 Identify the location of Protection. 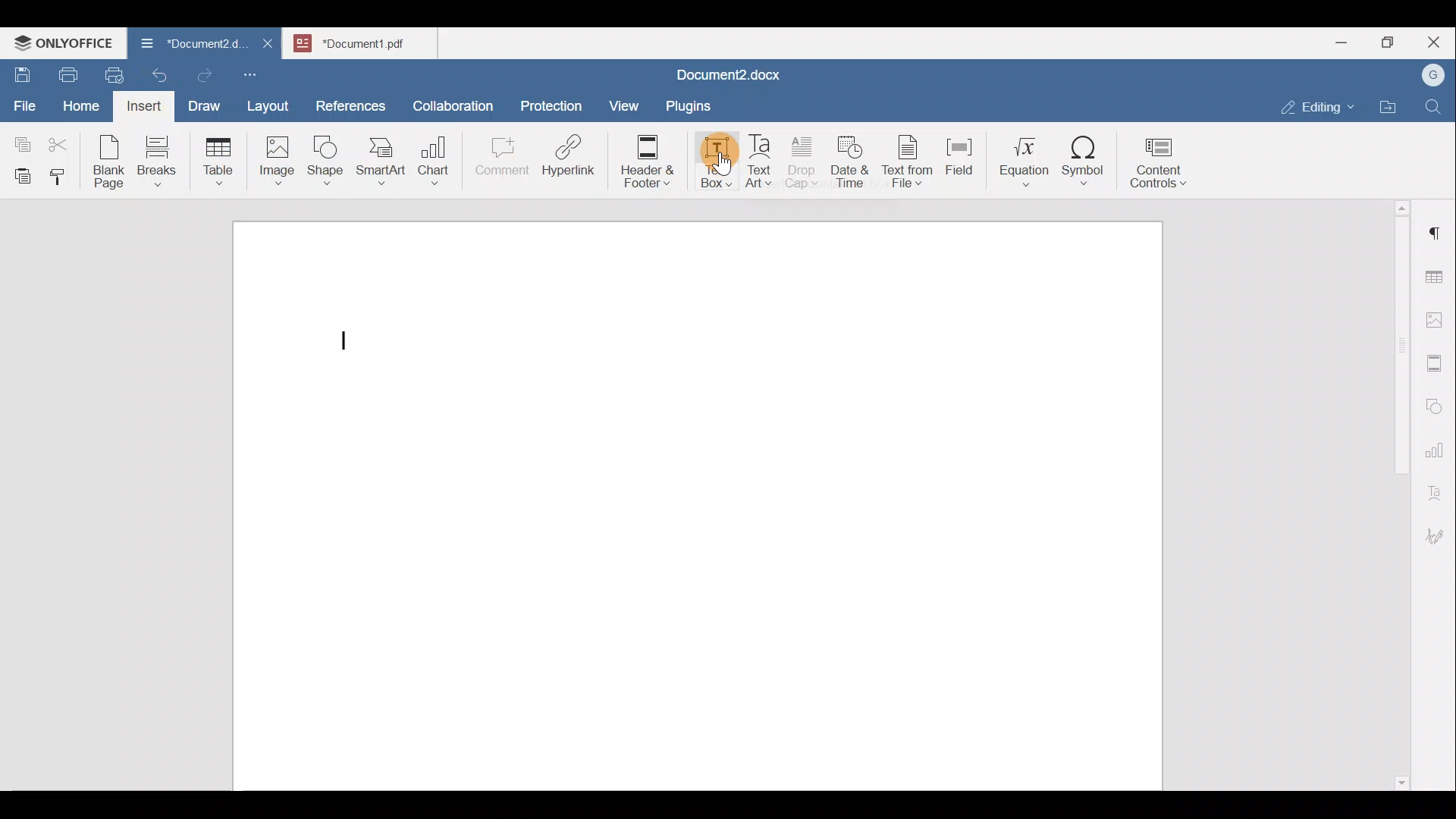
(551, 104).